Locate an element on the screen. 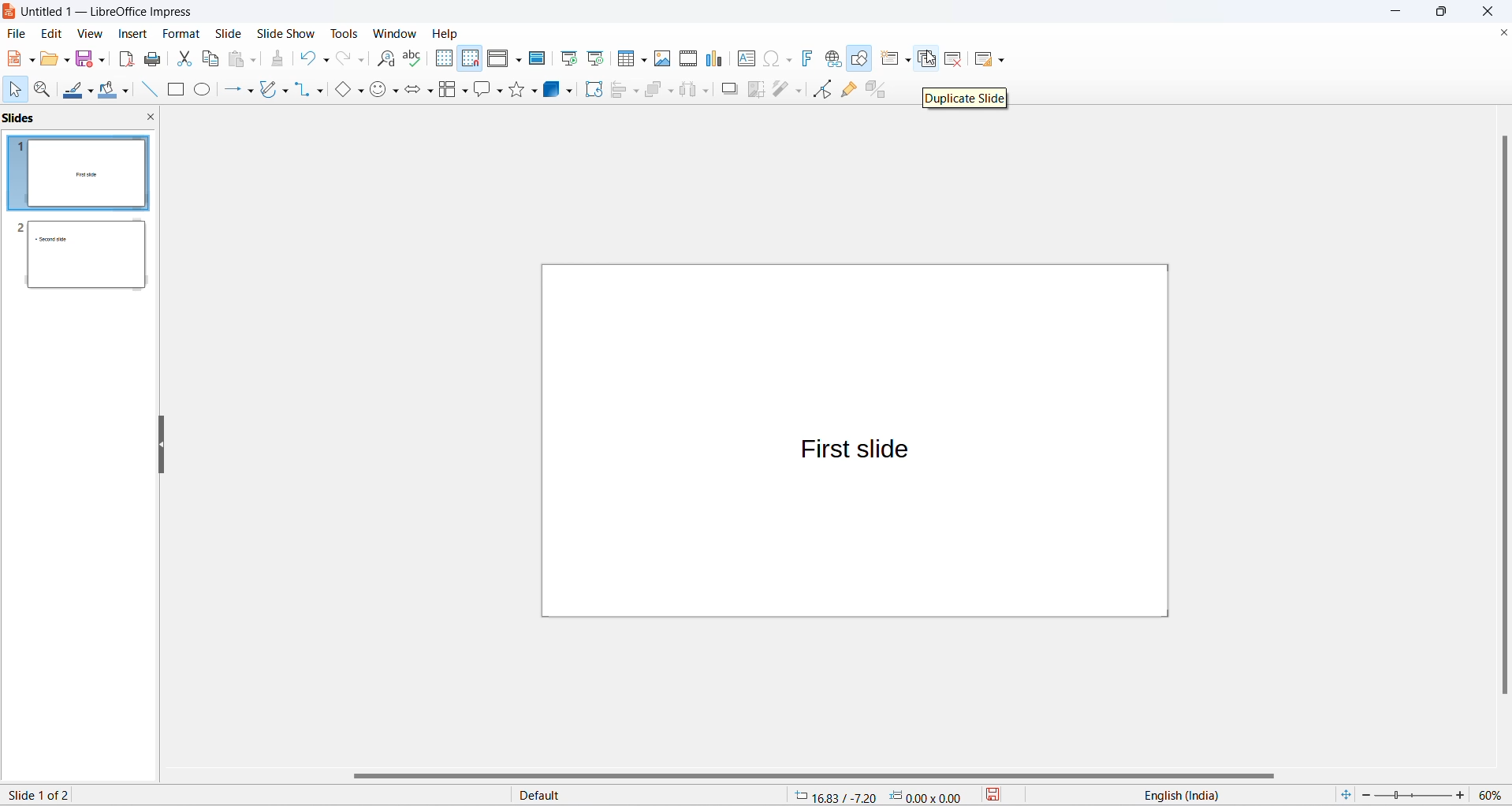 This screenshot has height=806, width=1512. slides with slide number is located at coordinates (83, 219).